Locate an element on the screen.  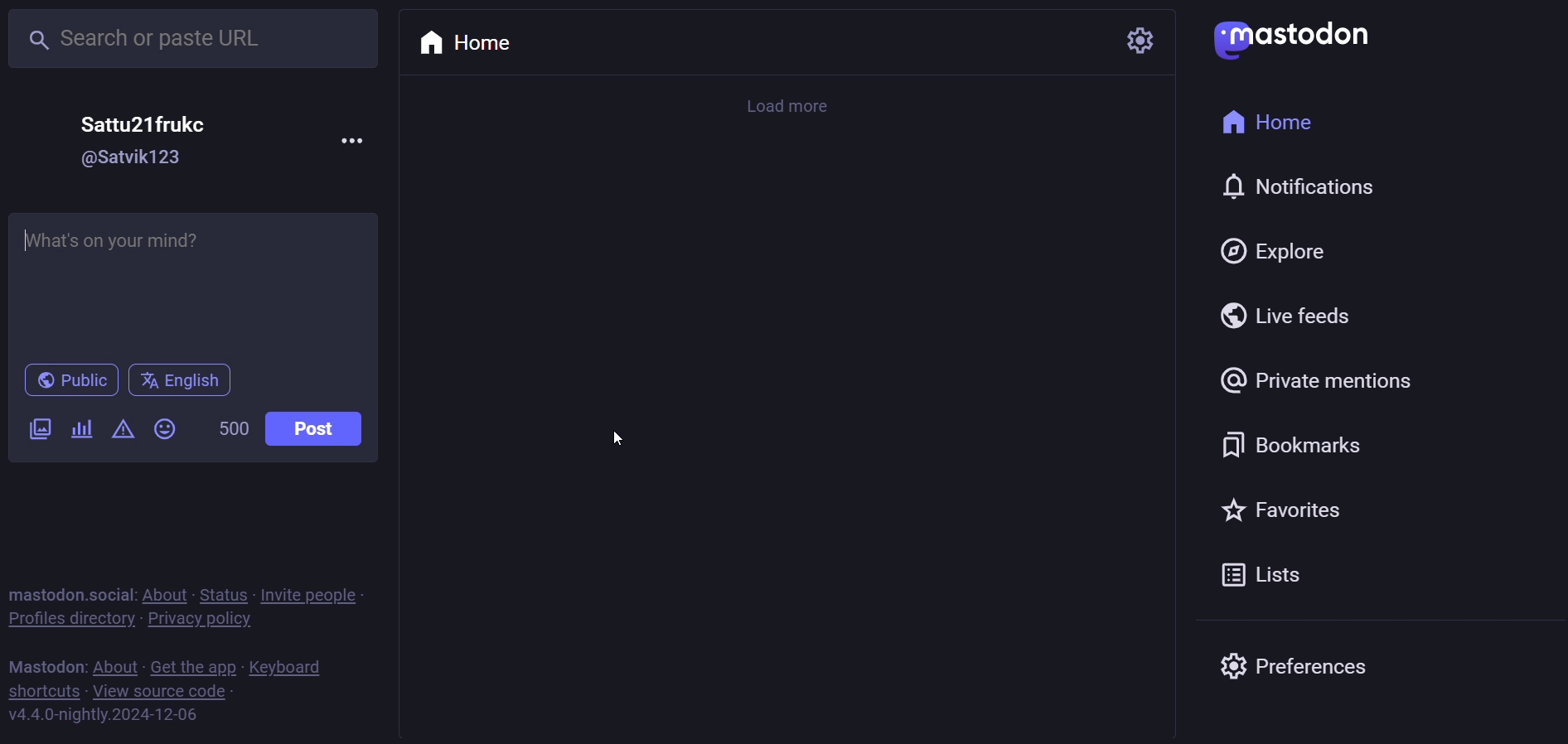
poll is located at coordinates (80, 430).